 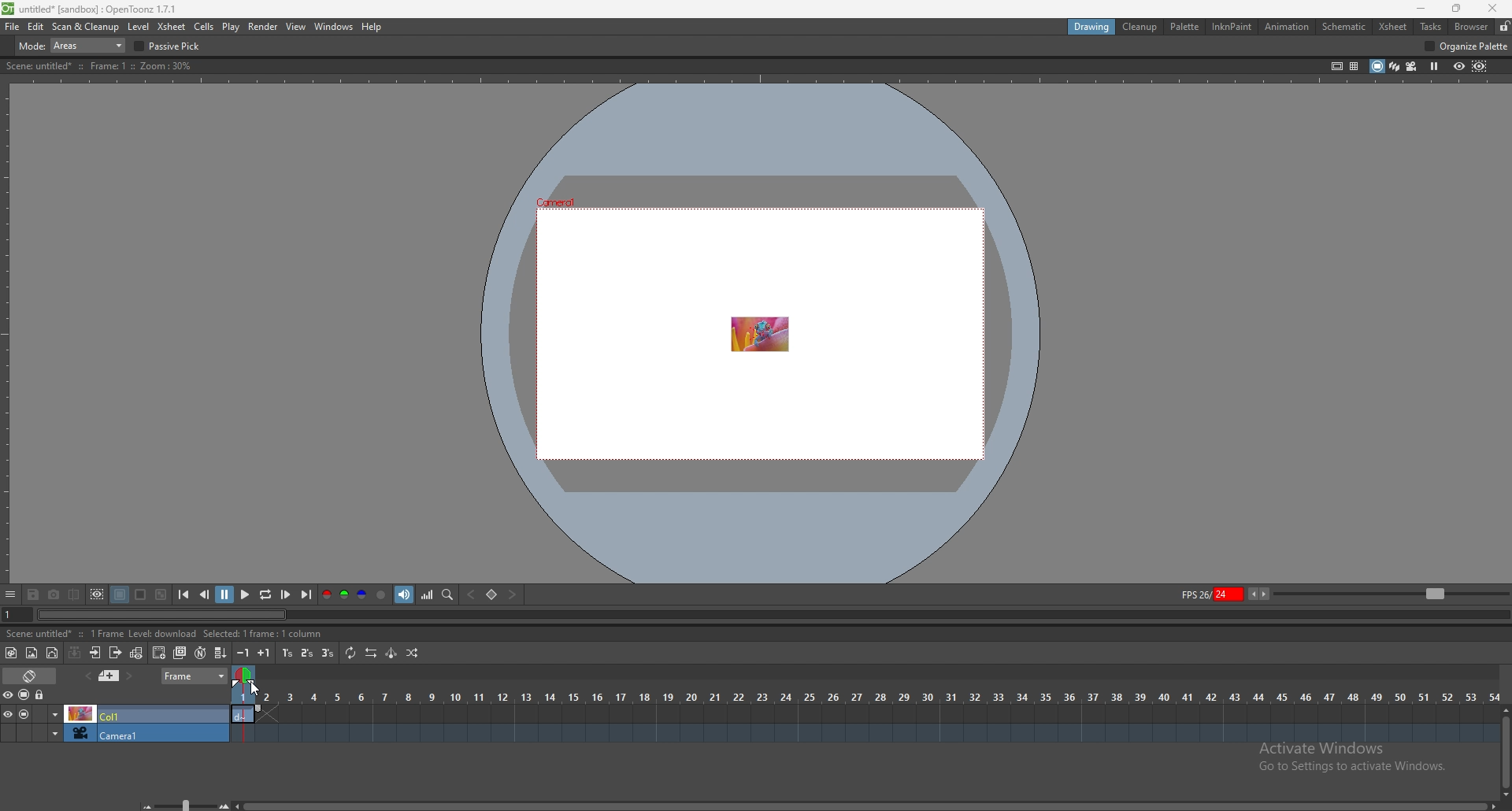 I want to click on description, so click(x=167, y=634).